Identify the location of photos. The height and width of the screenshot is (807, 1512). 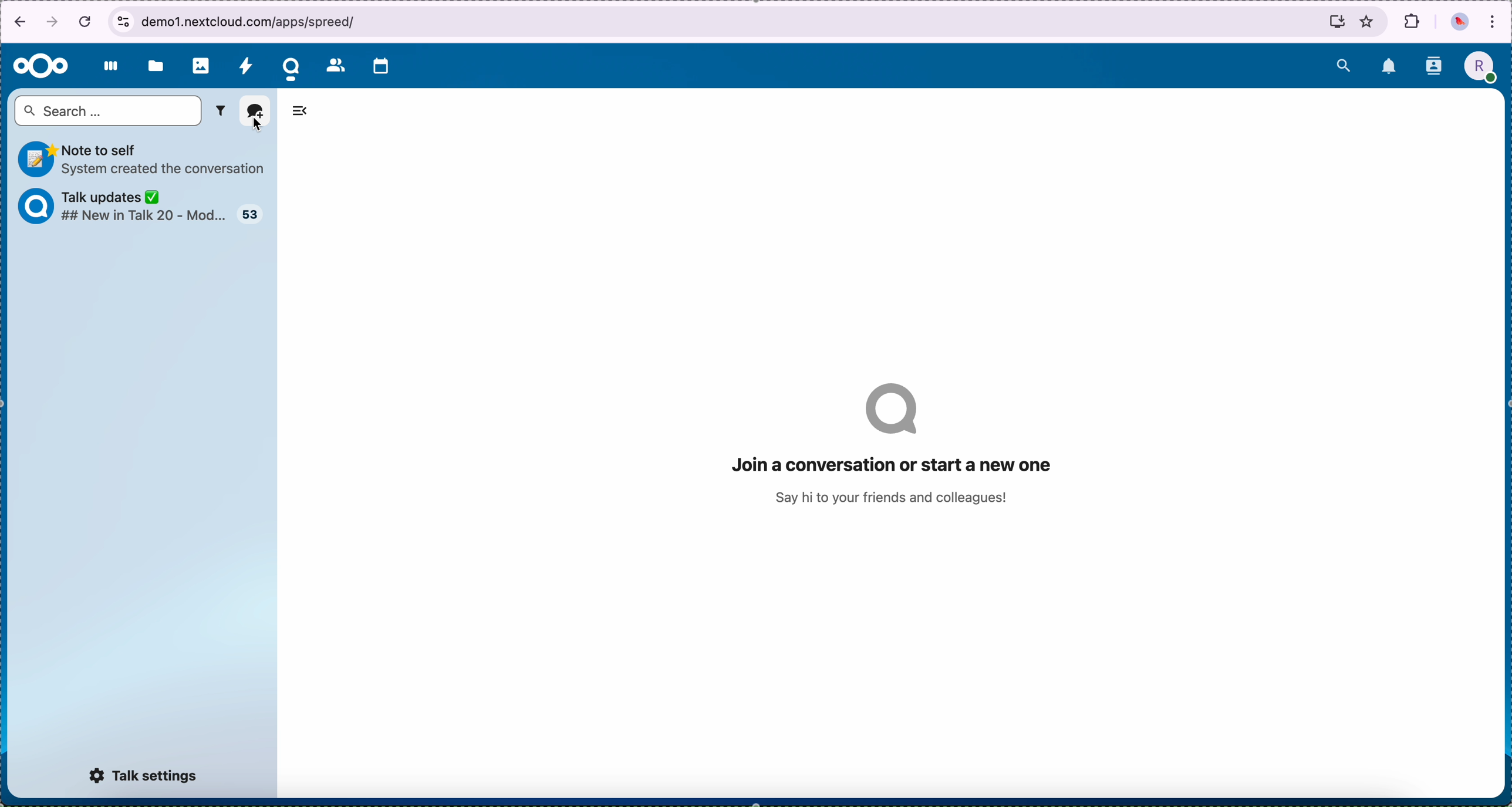
(201, 64).